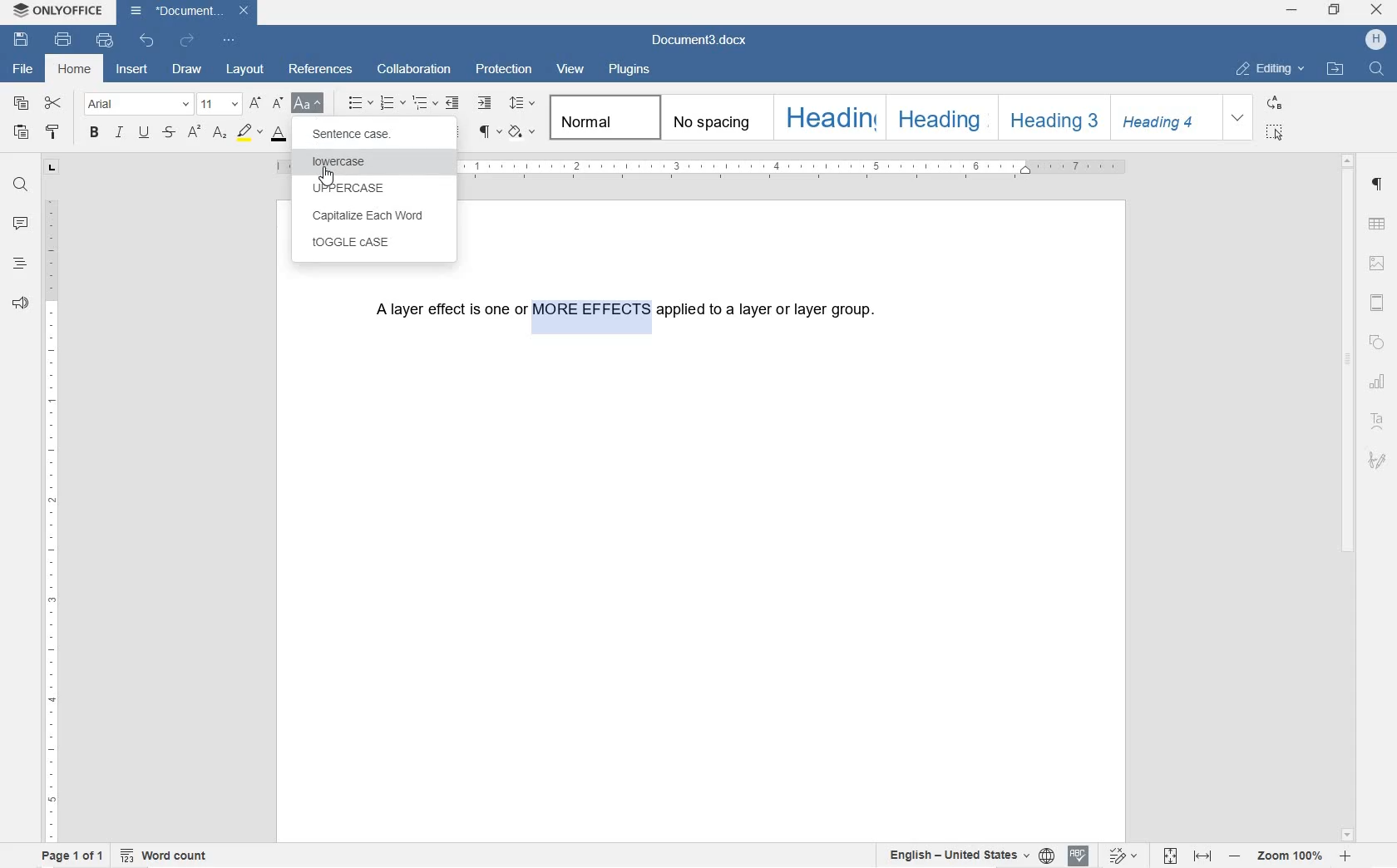  What do you see at coordinates (827, 116) in the screenshot?
I see `HEADING 1` at bounding box center [827, 116].